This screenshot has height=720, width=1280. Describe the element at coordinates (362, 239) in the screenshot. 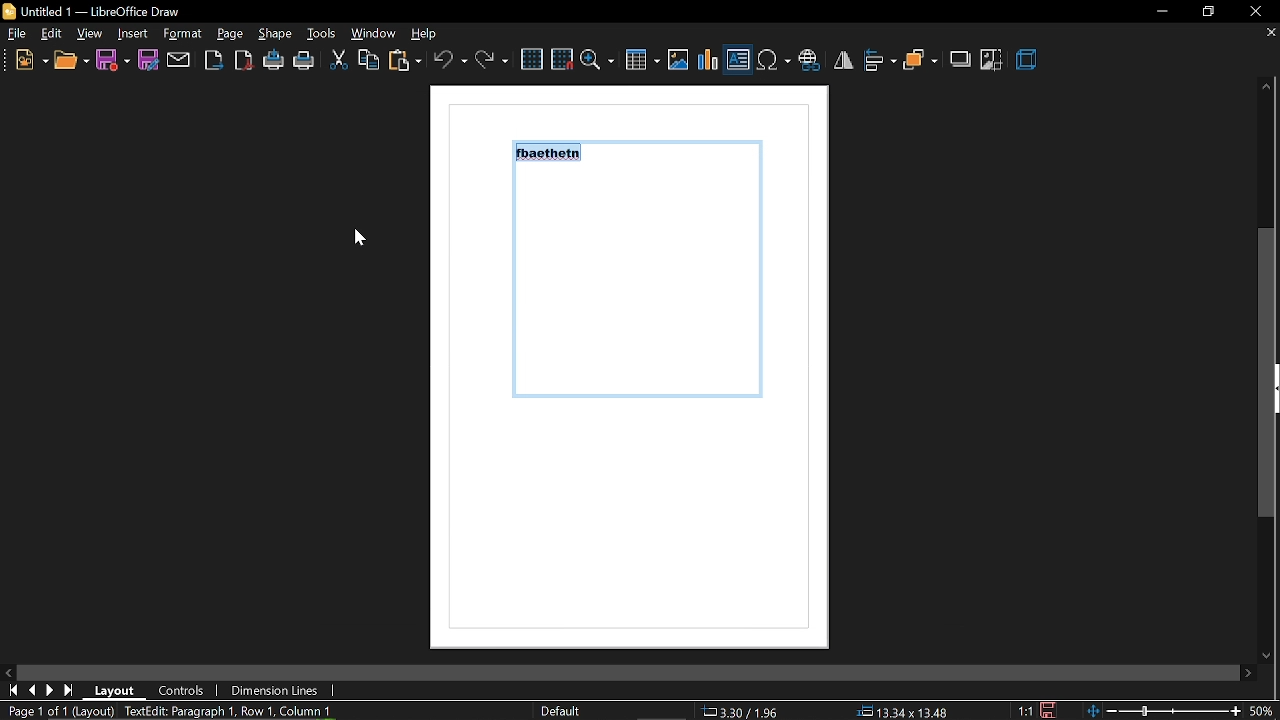

I see `cursor` at that location.